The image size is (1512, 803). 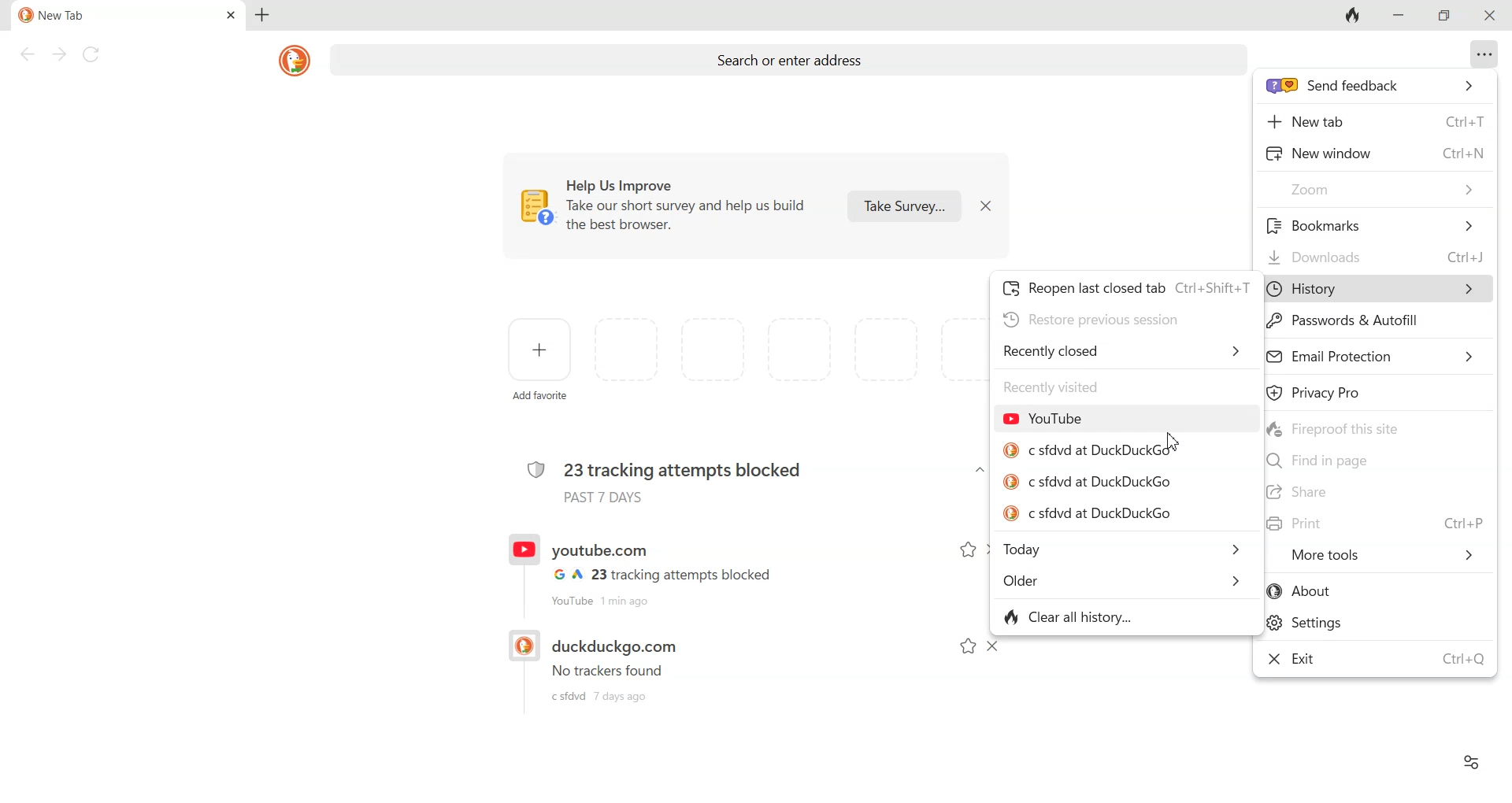 What do you see at coordinates (103, 15) in the screenshot?
I see `Current tab` at bounding box center [103, 15].